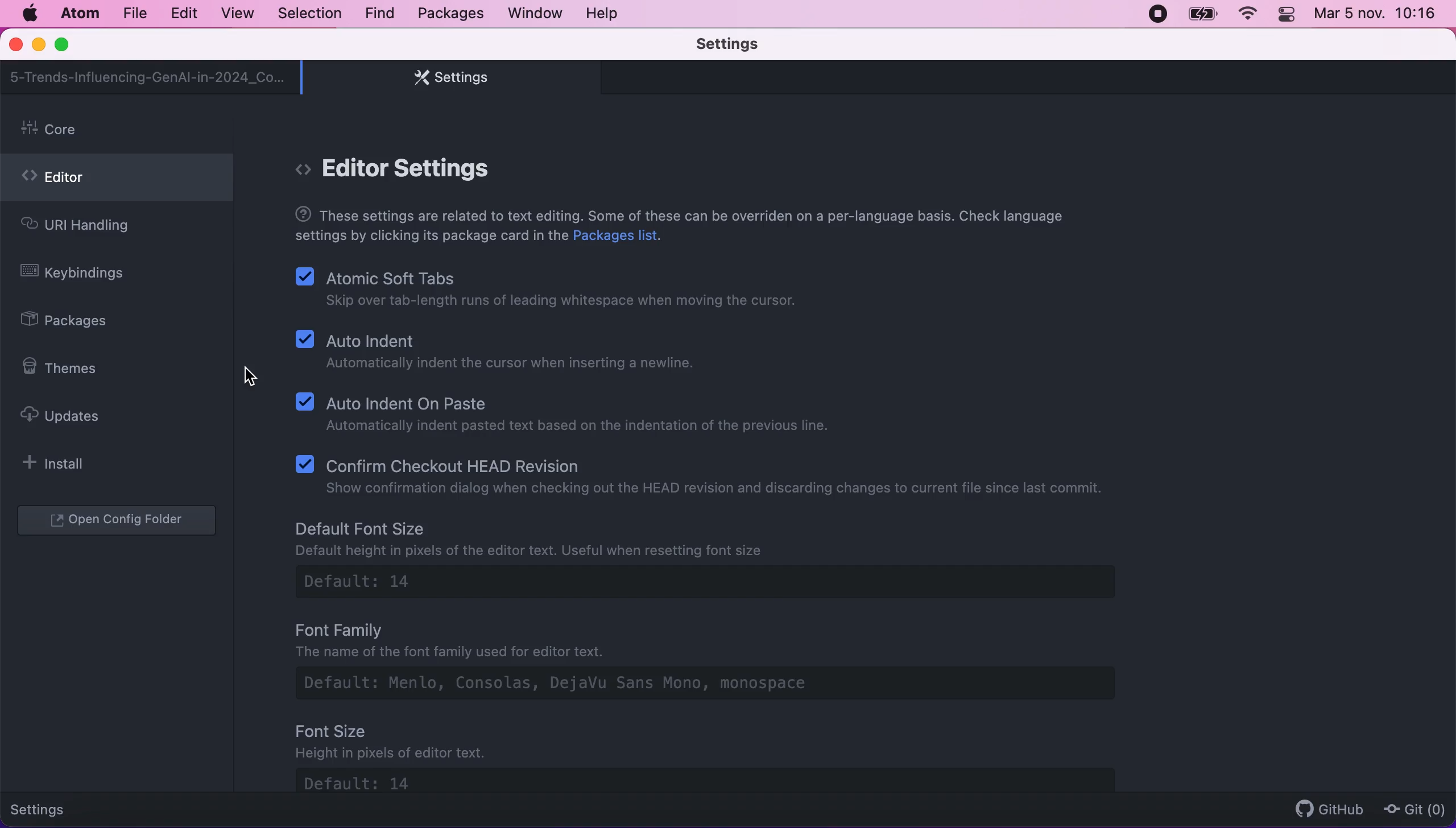  I want to click on text editing settings, so click(681, 227).